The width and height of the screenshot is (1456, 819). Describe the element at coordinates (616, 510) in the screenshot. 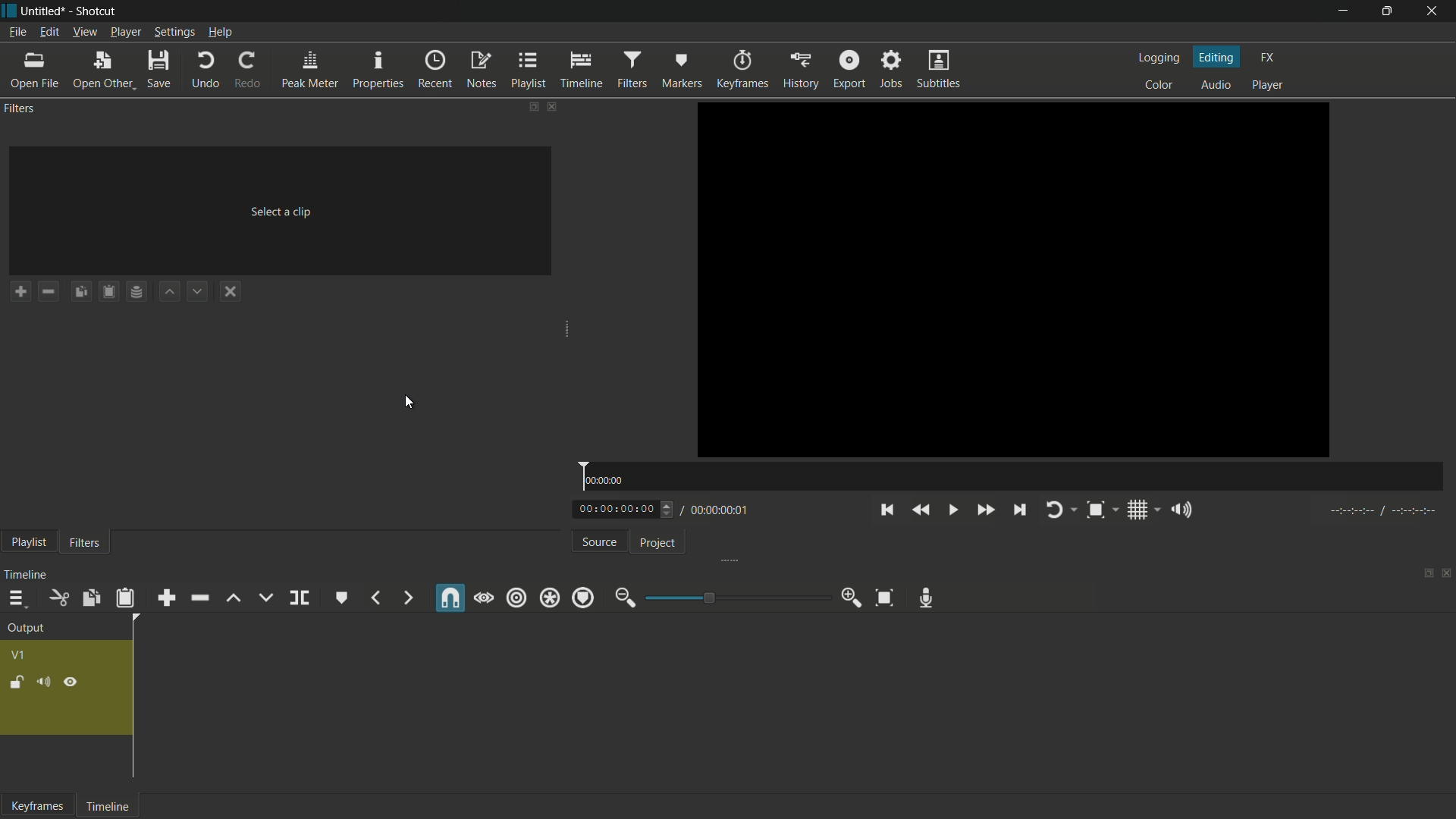

I see `current time` at that location.